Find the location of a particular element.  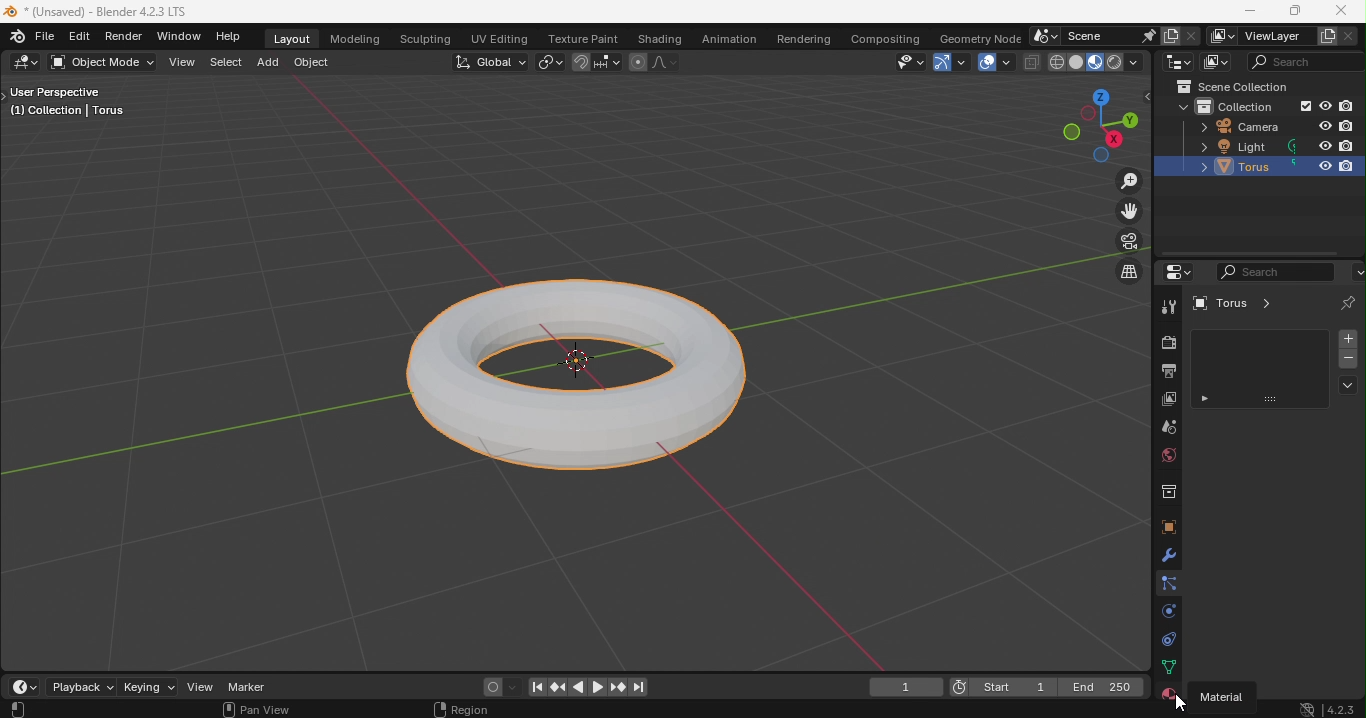

Editor type is located at coordinates (1178, 62).